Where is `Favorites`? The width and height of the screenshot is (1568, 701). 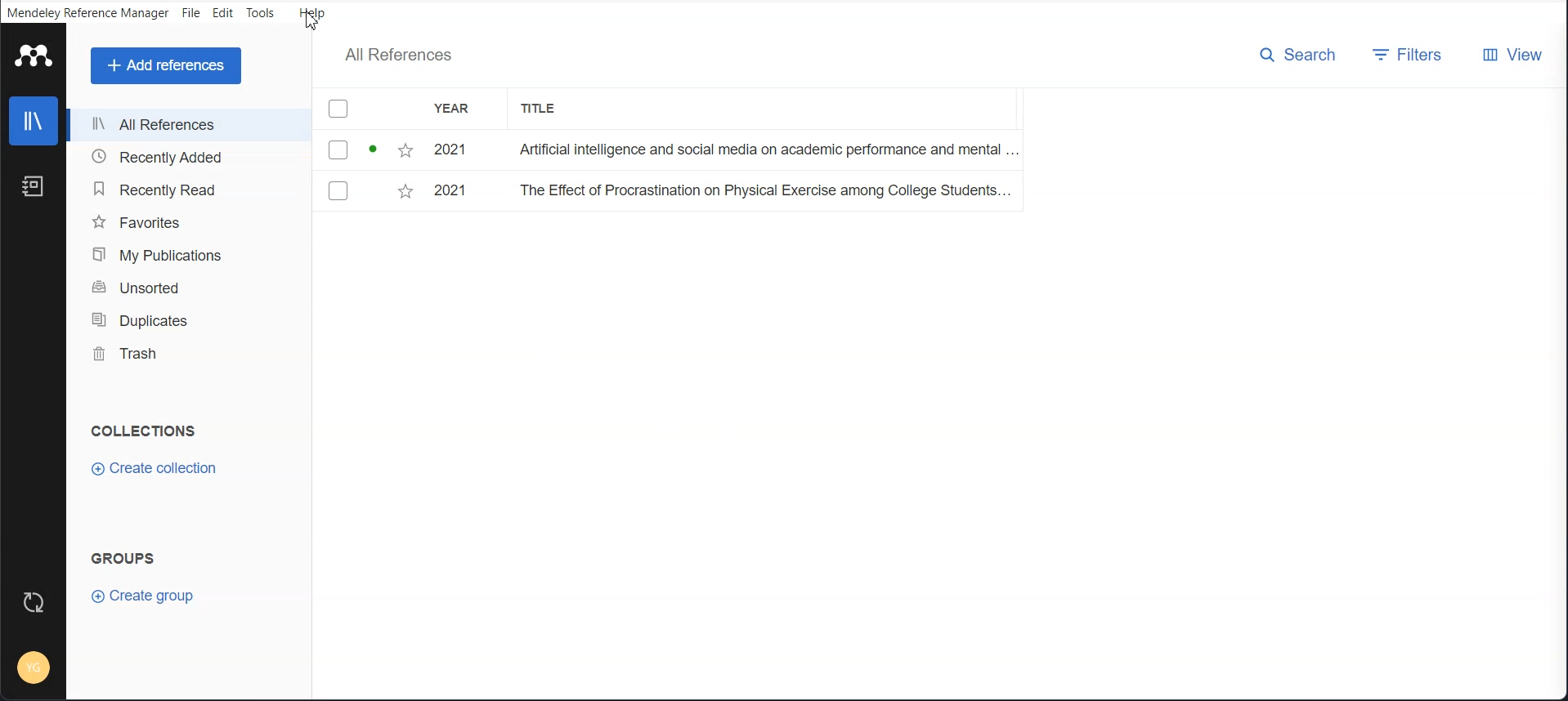
Favorites is located at coordinates (183, 221).